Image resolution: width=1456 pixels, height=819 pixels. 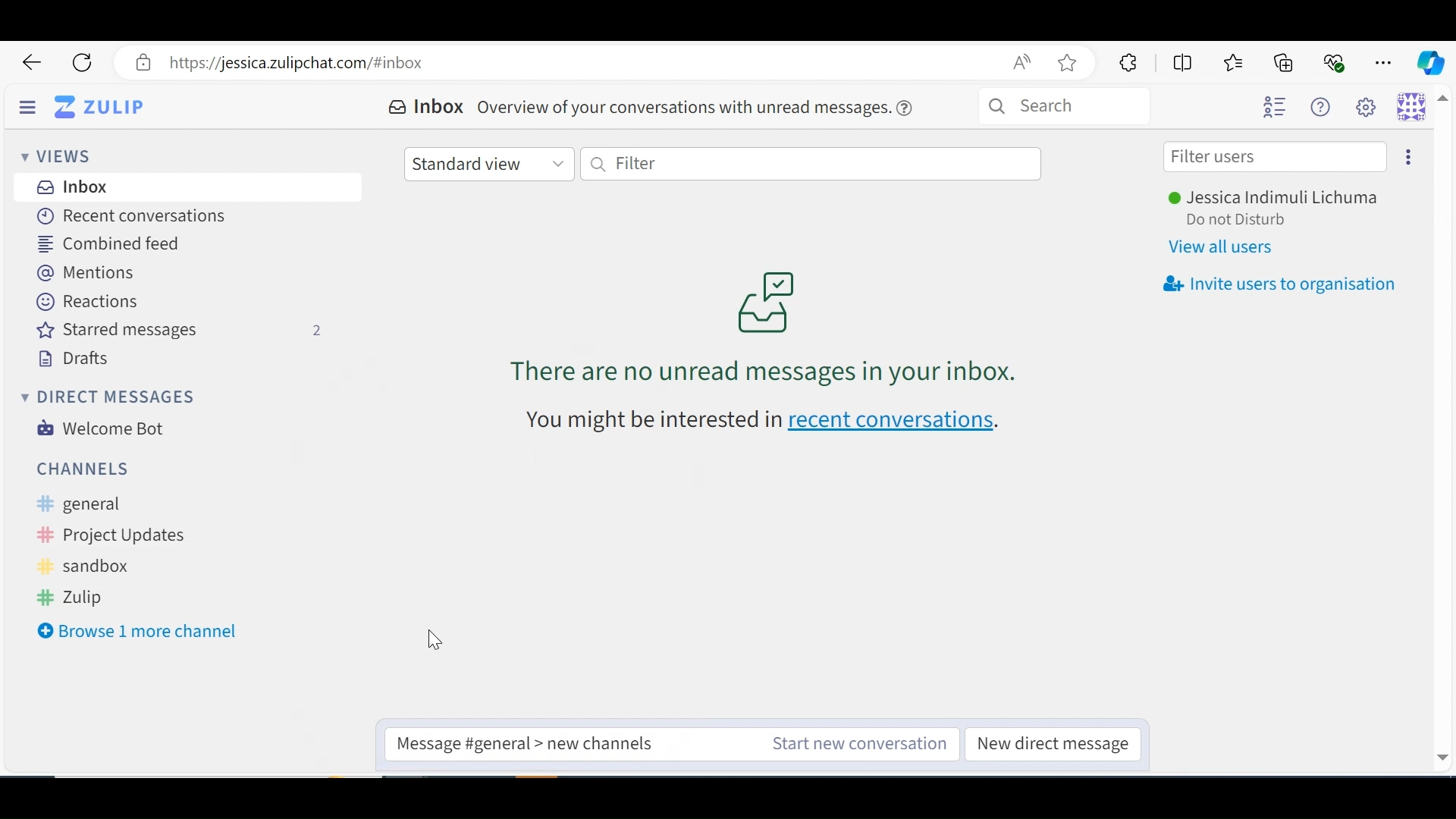 I want to click on Browser essentials, so click(x=1335, y=61).